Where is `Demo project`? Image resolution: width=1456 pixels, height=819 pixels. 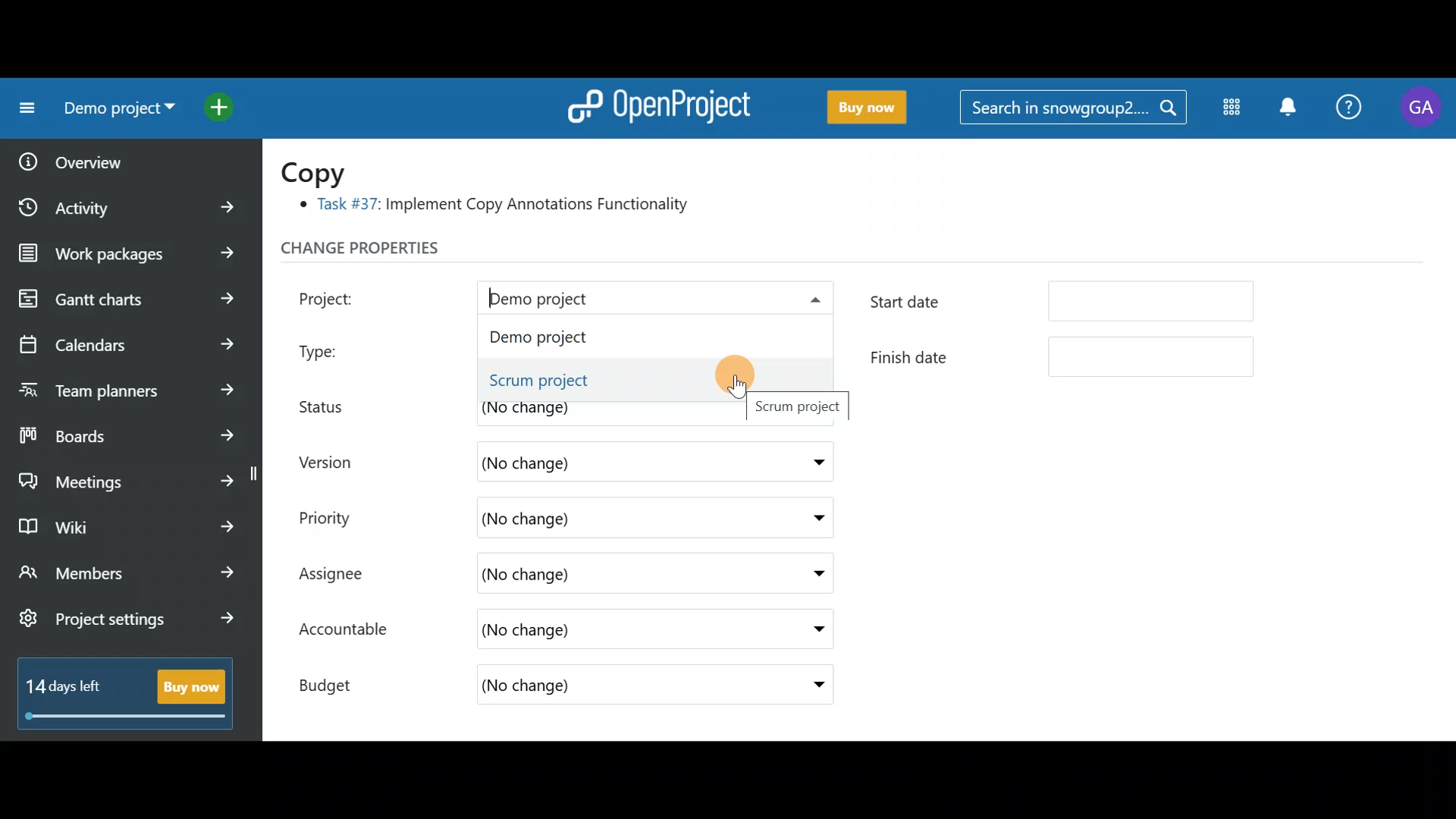
Demo project is located at coordinates (604, 338).